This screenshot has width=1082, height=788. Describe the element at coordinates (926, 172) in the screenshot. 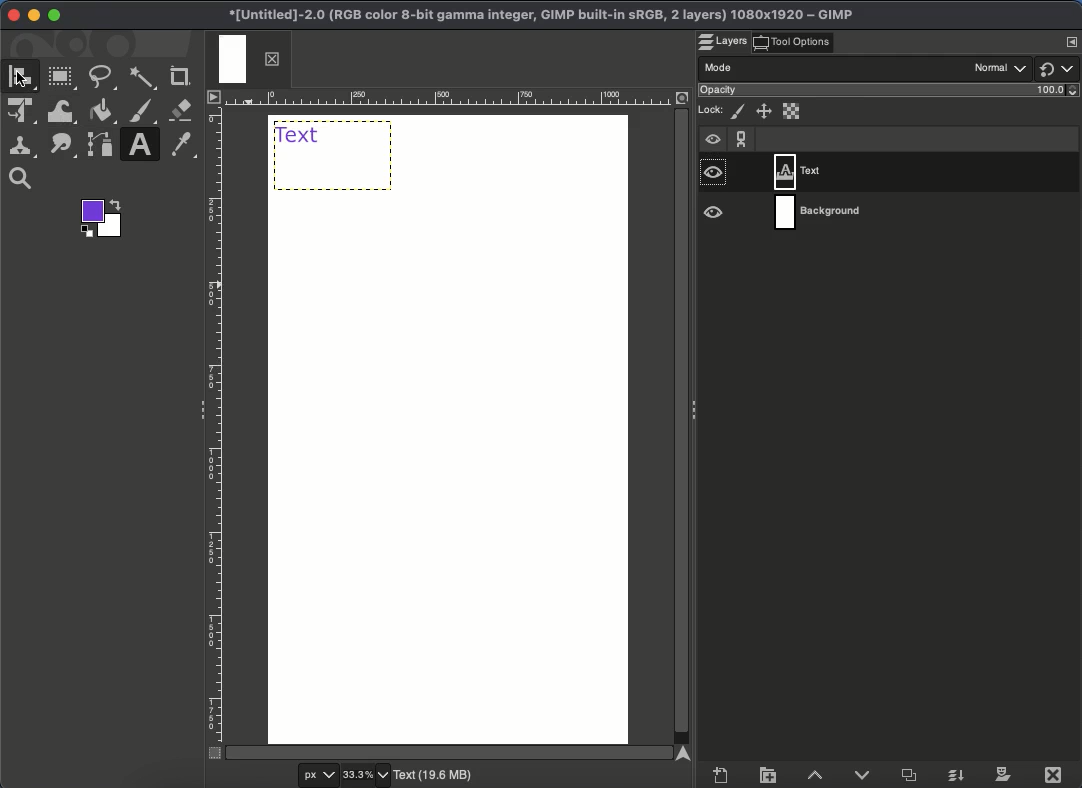

I see `Layer 1` at that location.